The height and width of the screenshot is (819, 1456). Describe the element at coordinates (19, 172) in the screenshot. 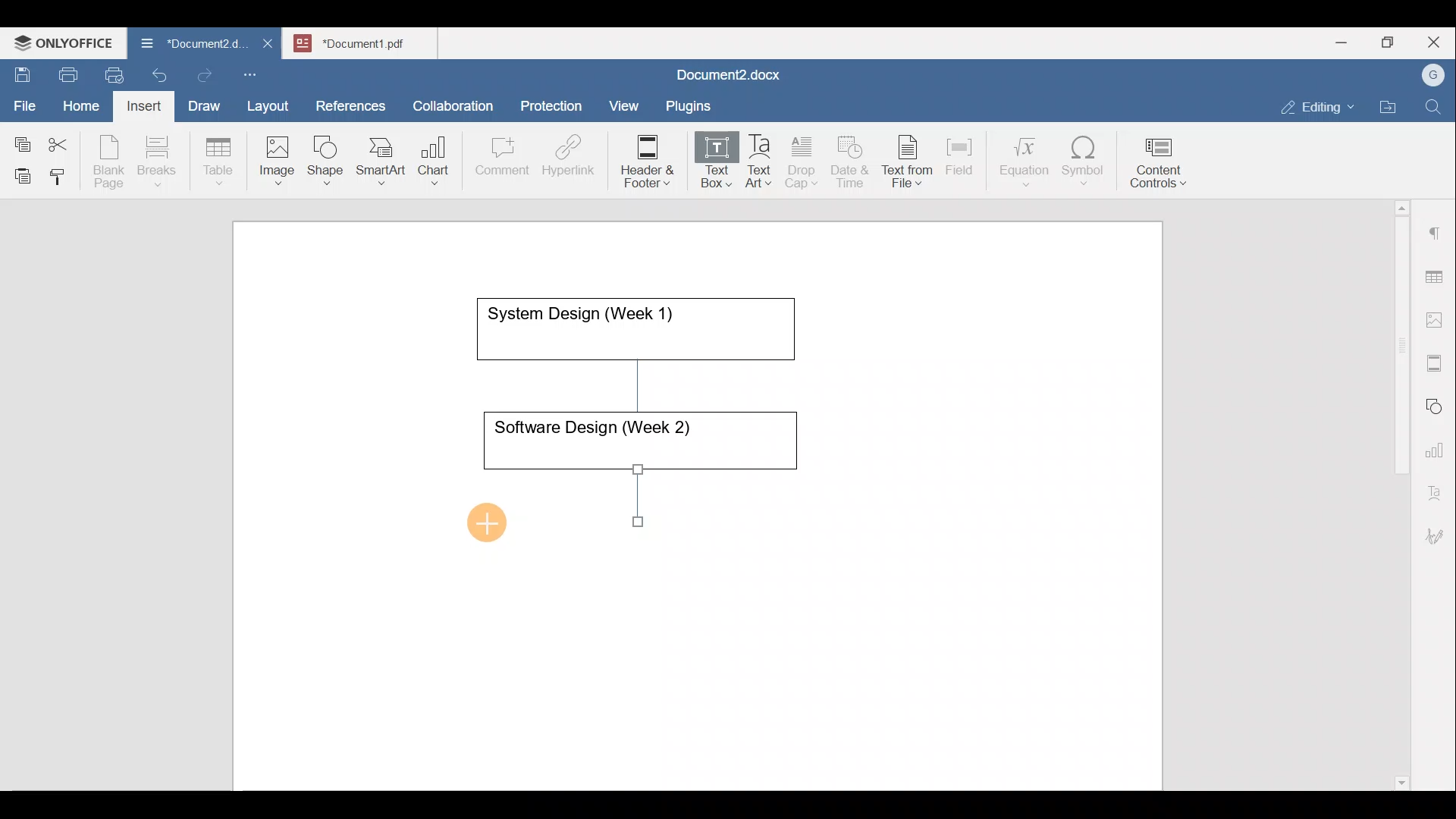

I see `Paste` at that location.